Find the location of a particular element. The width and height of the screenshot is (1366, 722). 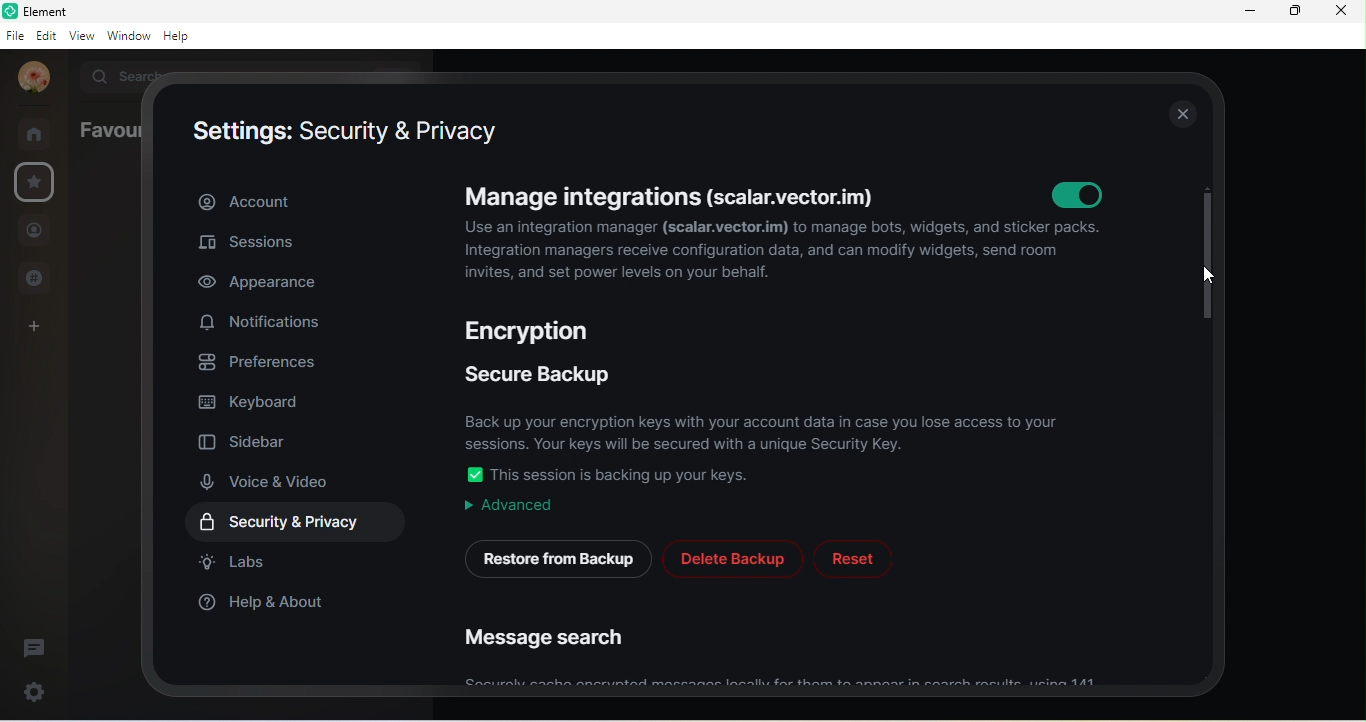

manage integration switch is located at coordinates (1072, 193).